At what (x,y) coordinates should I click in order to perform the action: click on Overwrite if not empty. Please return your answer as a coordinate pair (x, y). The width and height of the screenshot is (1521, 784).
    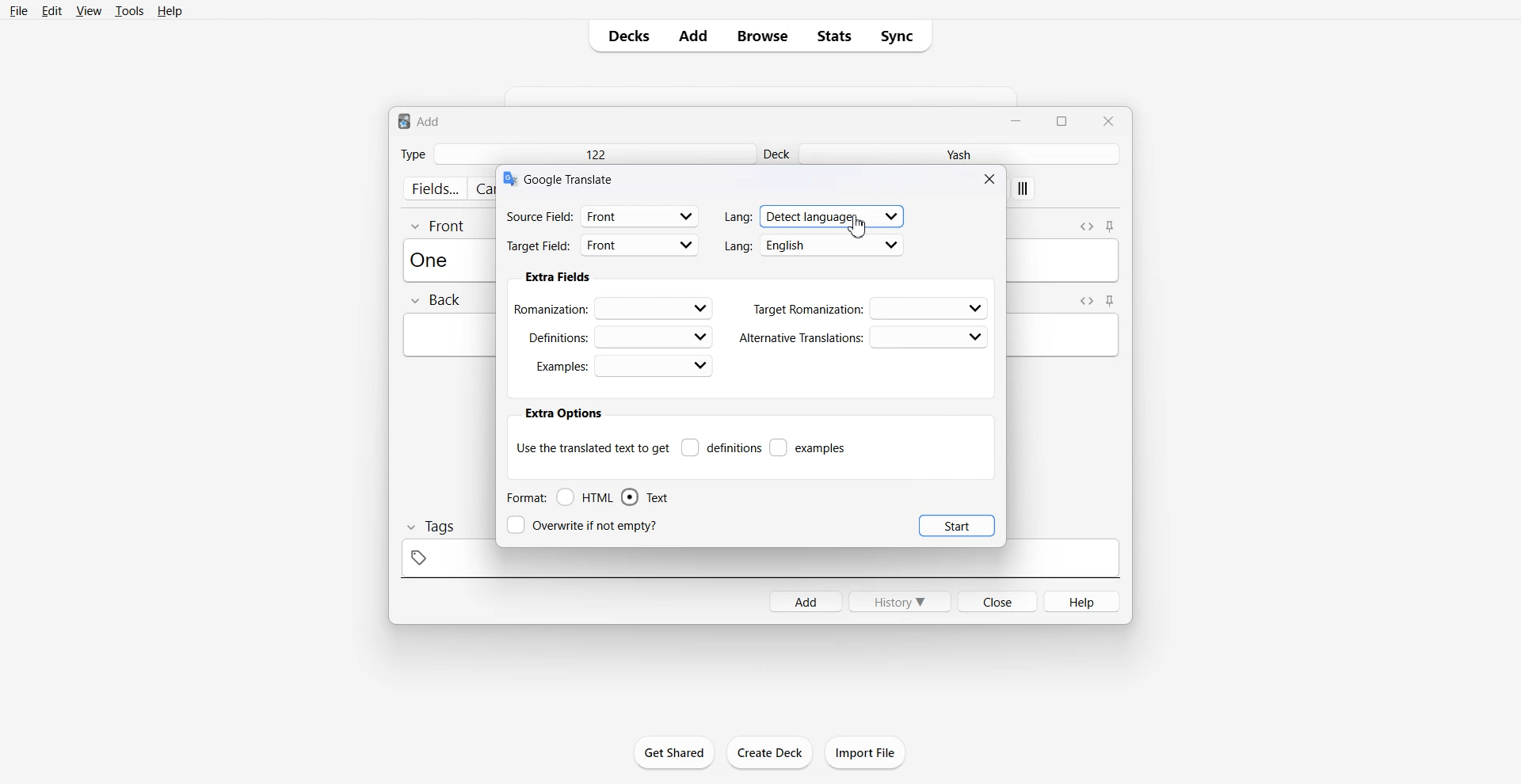
    Looking at the image, I should click on (585, 525).